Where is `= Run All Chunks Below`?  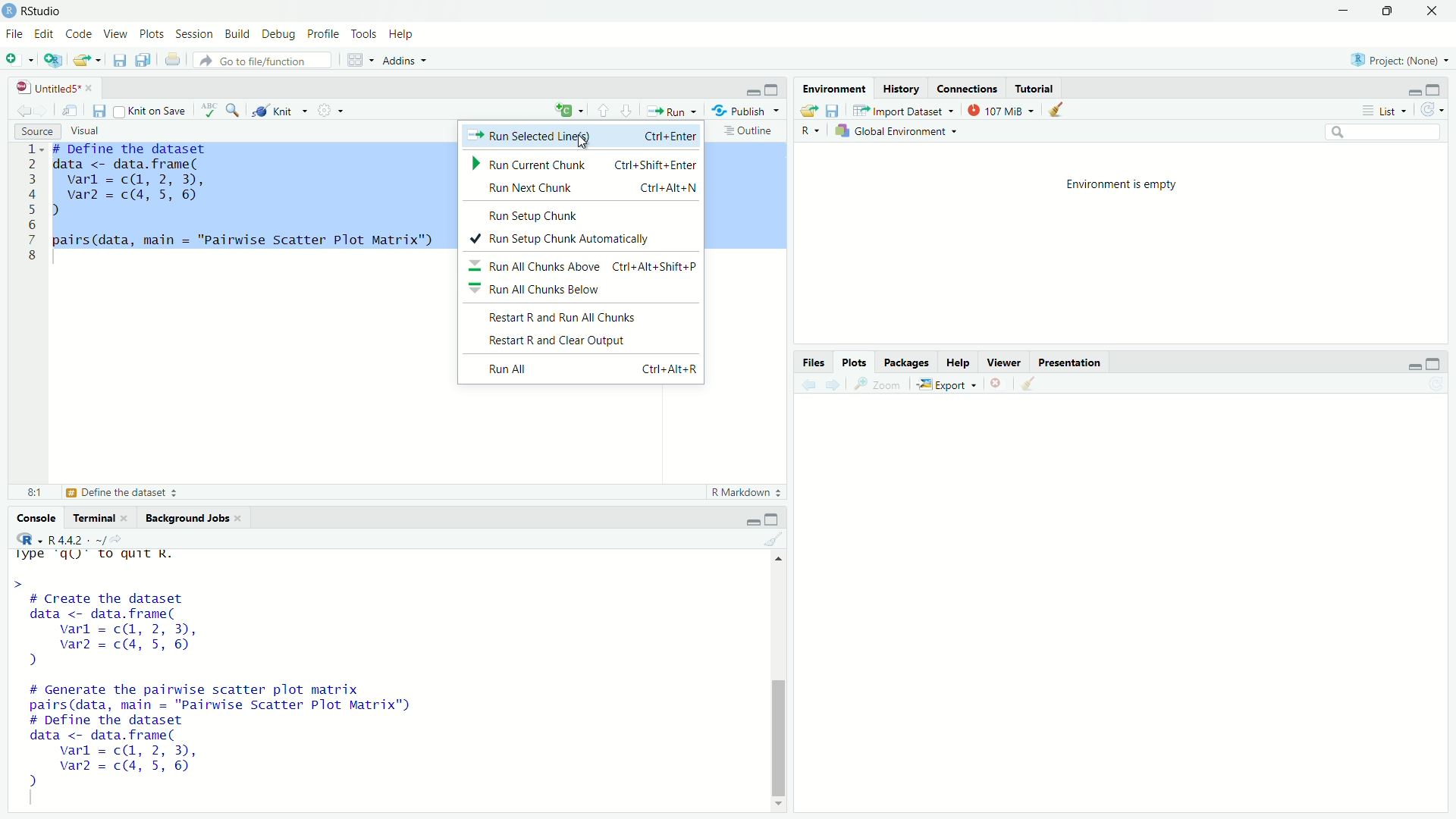
= Run All Chunks Below is located at coordinates (566, 290).